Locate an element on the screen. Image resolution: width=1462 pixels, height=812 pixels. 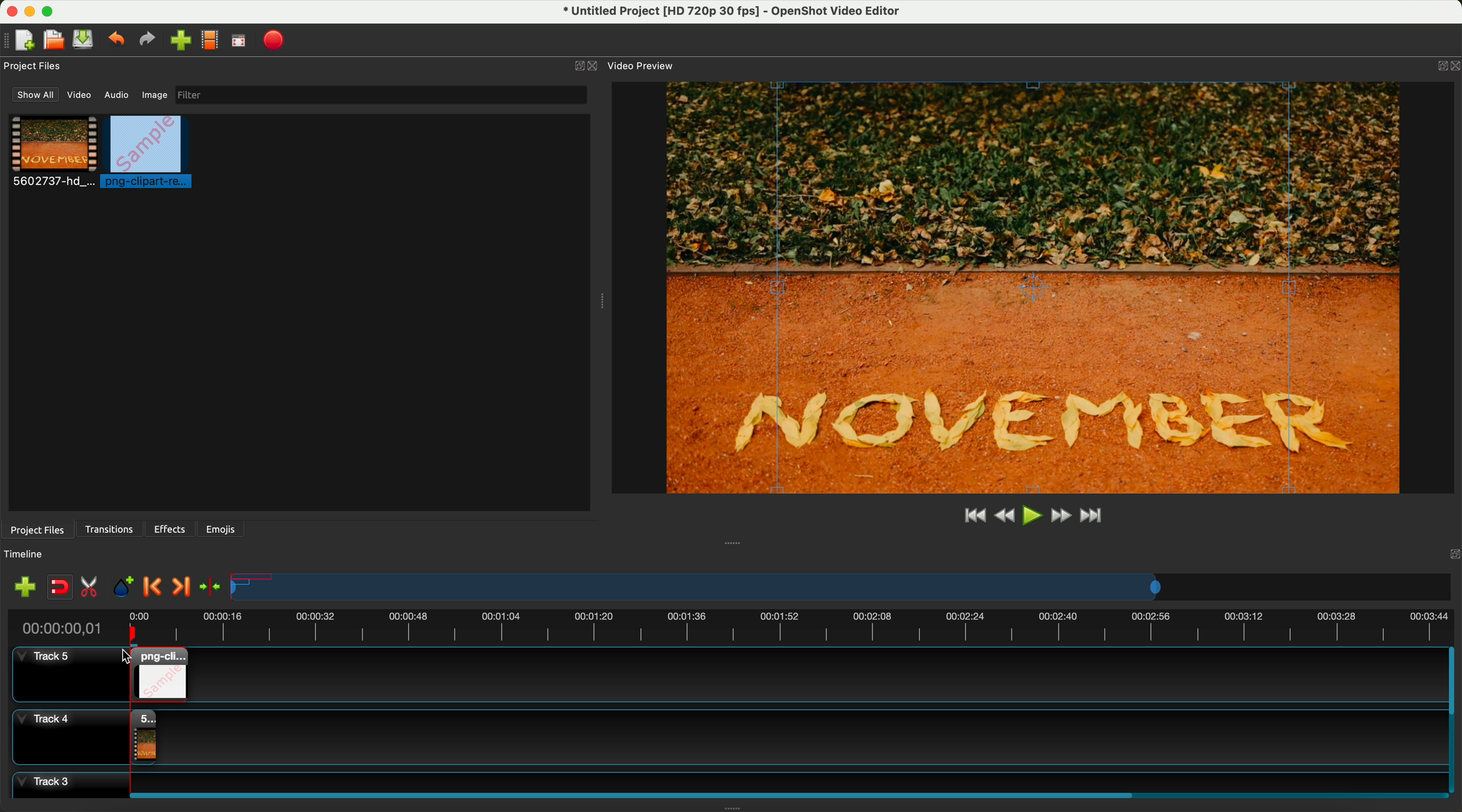
choose profile is located at coordinates (213, 42).